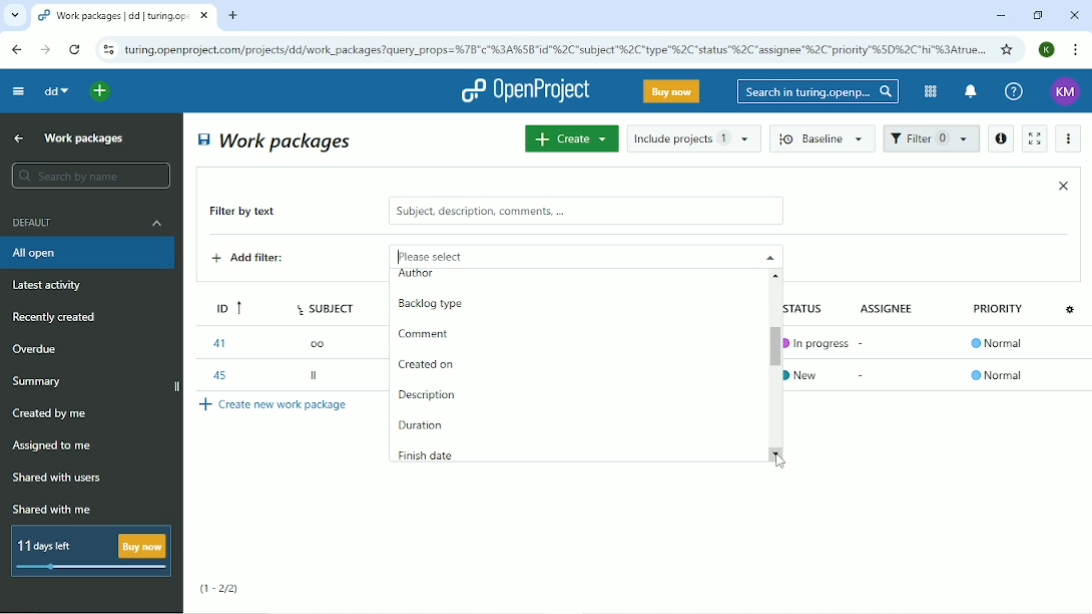 This screenshot has height=614, width=1092. I want to click on Search by name, so click(90, 176).